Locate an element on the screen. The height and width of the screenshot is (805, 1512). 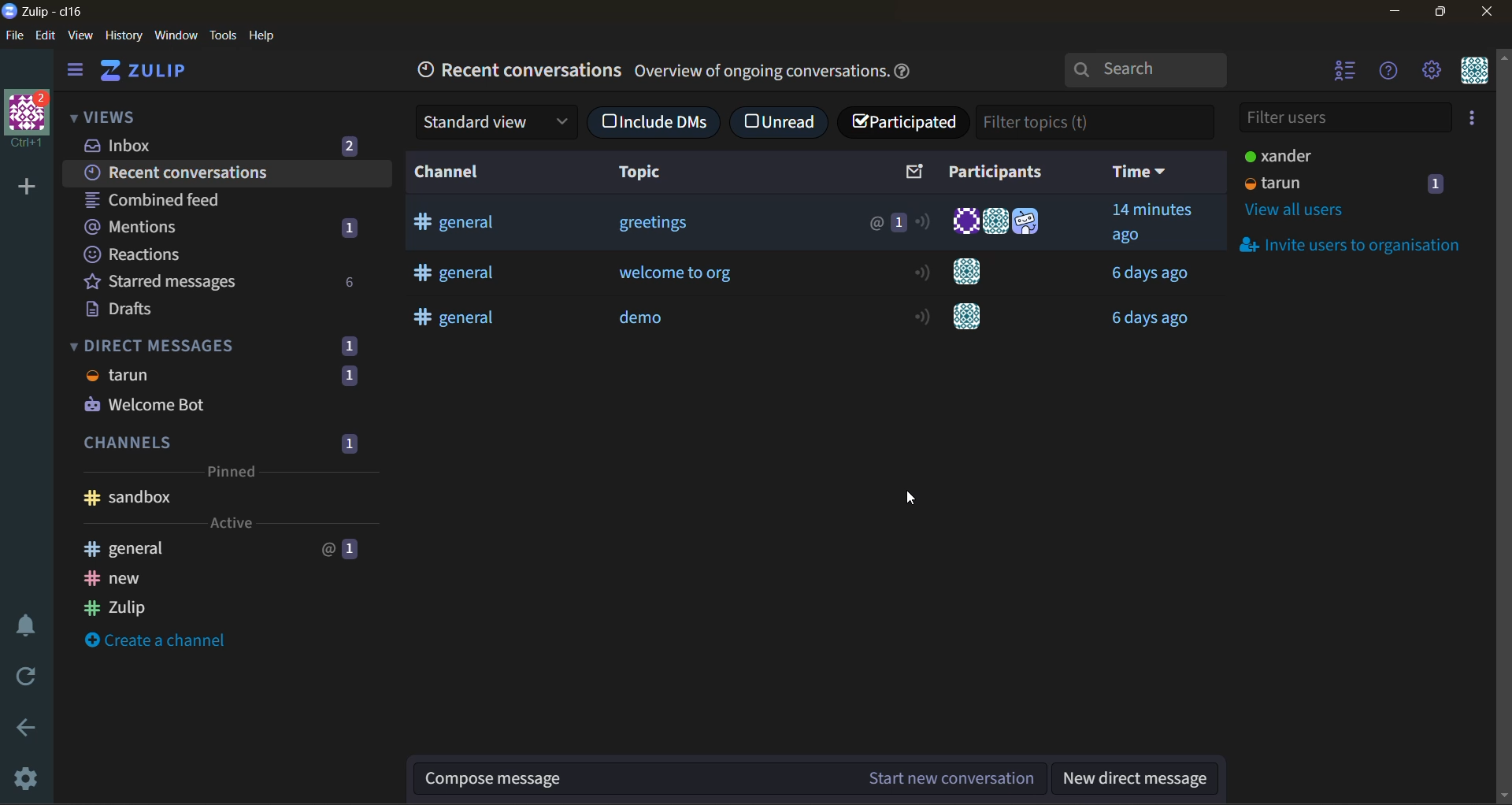
1 messages is located at coordinates (897, 223).